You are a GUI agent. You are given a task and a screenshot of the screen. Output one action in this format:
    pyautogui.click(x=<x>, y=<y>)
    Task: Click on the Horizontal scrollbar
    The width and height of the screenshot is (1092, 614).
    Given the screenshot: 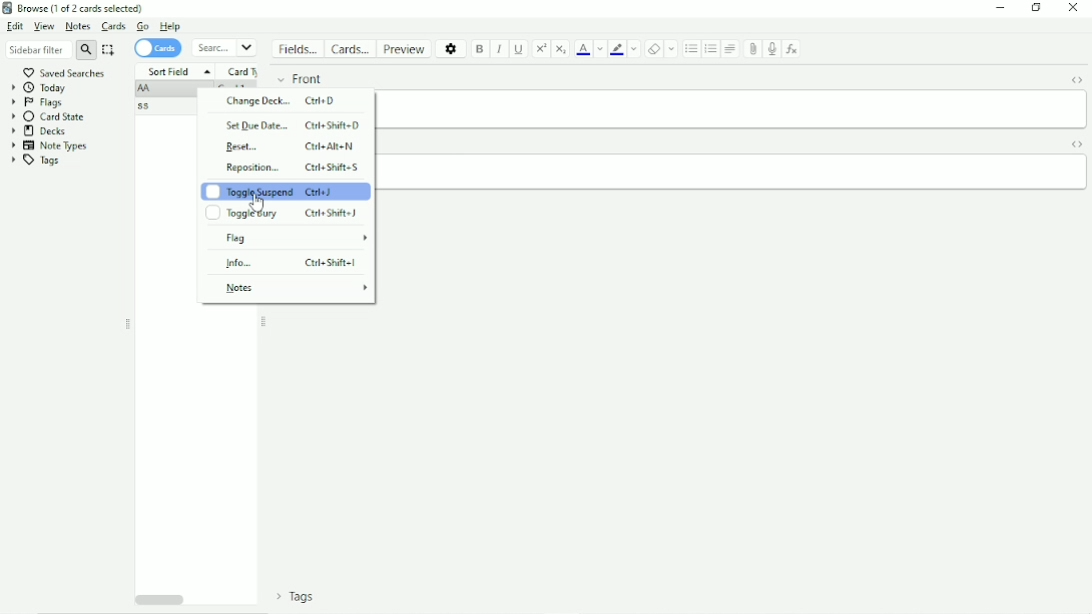 What is the action you would take?
    pyautogui.click(x=160, y=600)
    